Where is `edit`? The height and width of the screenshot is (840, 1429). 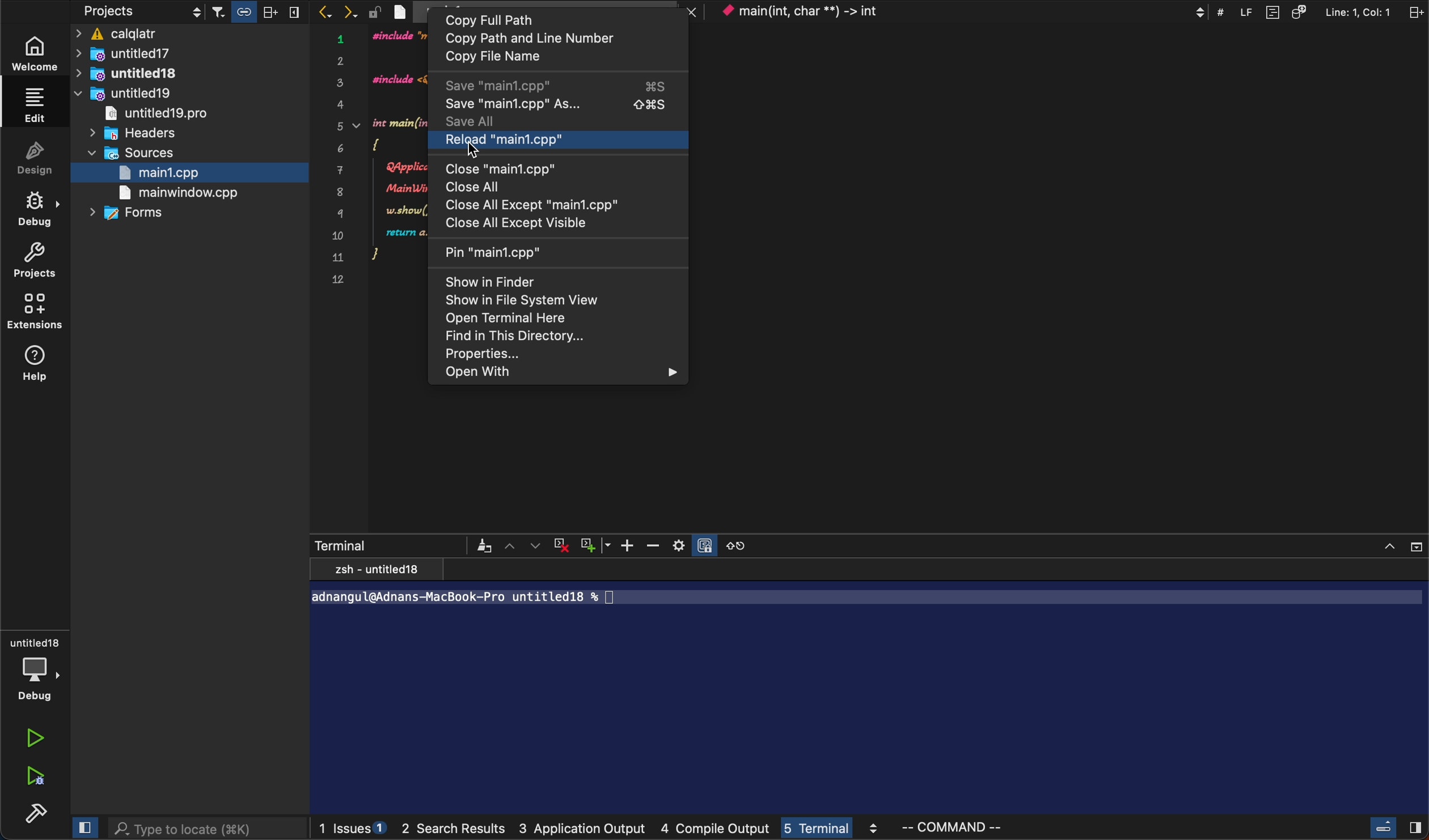 edit is located at coordinates (37, 103).